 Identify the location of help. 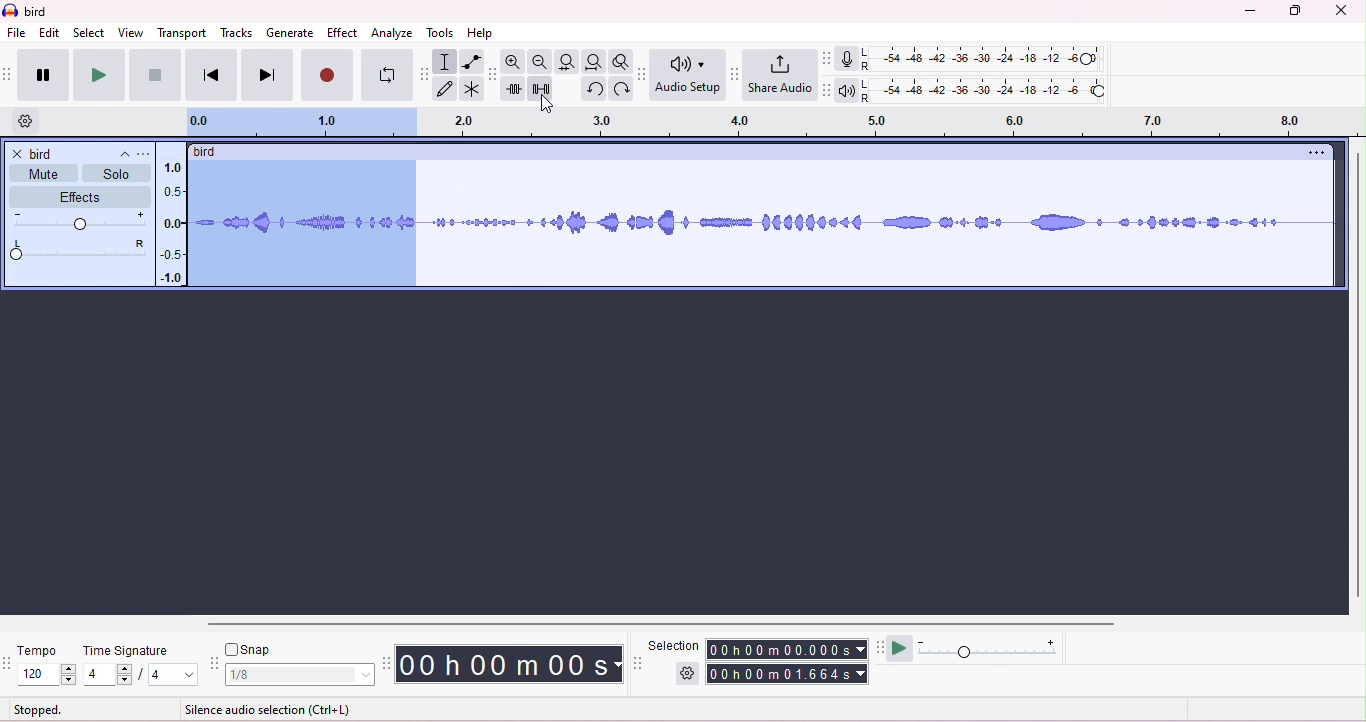
(481, 33).